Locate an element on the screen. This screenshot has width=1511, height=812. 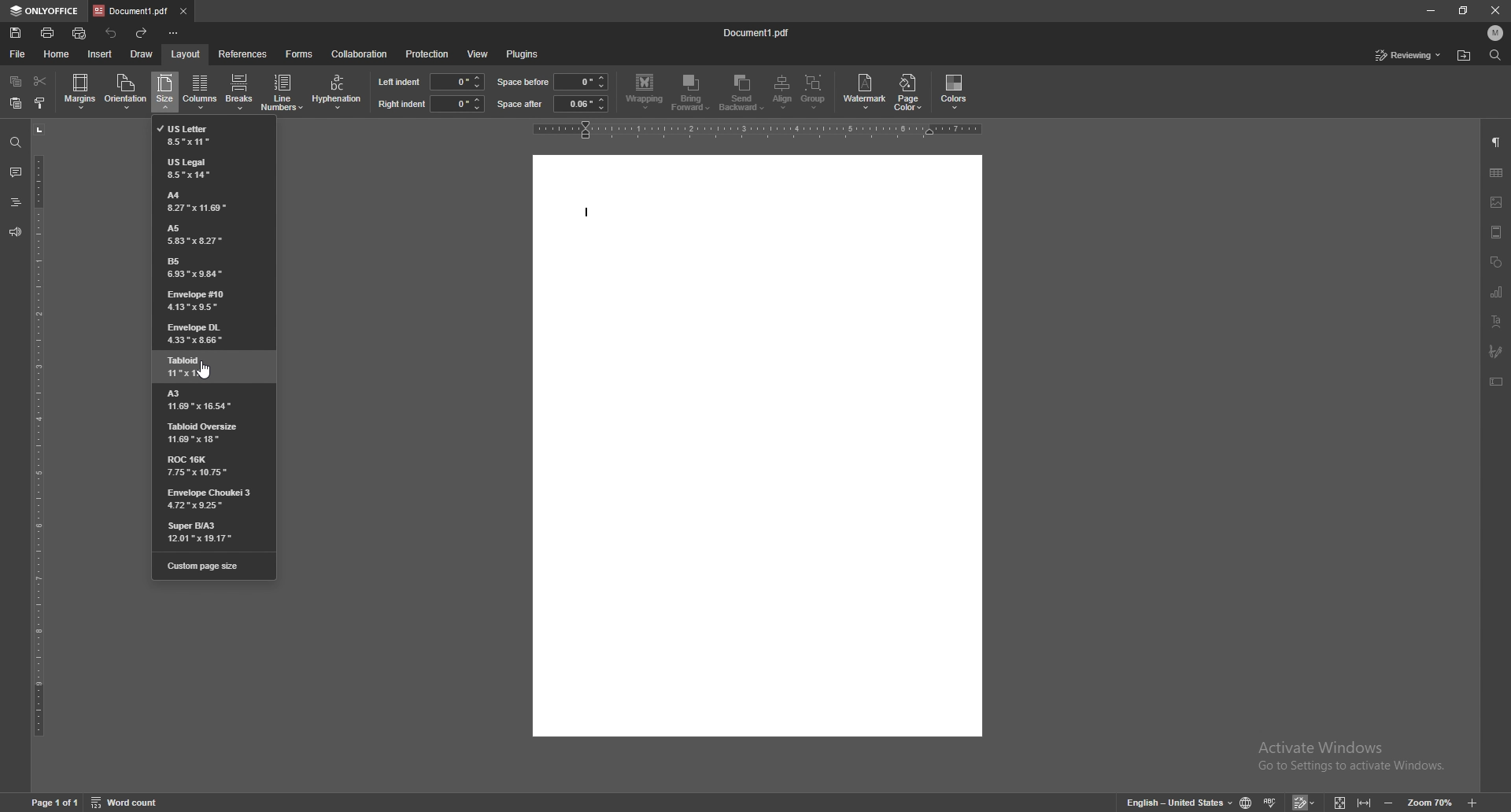
send backward is located at coordinates (744, 94).